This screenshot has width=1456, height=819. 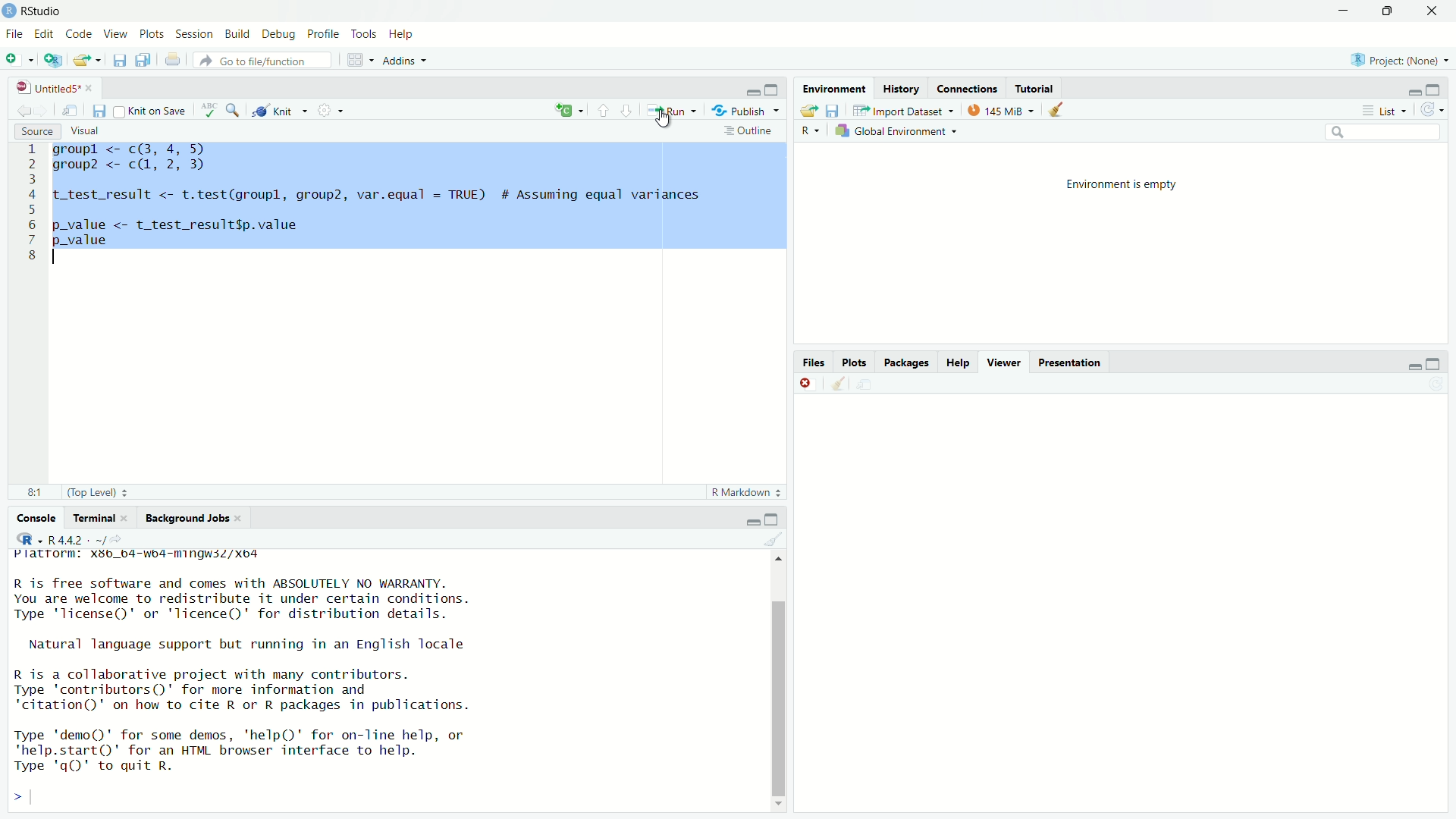 I want to click on DOWN, so click(x=1386, y=11).